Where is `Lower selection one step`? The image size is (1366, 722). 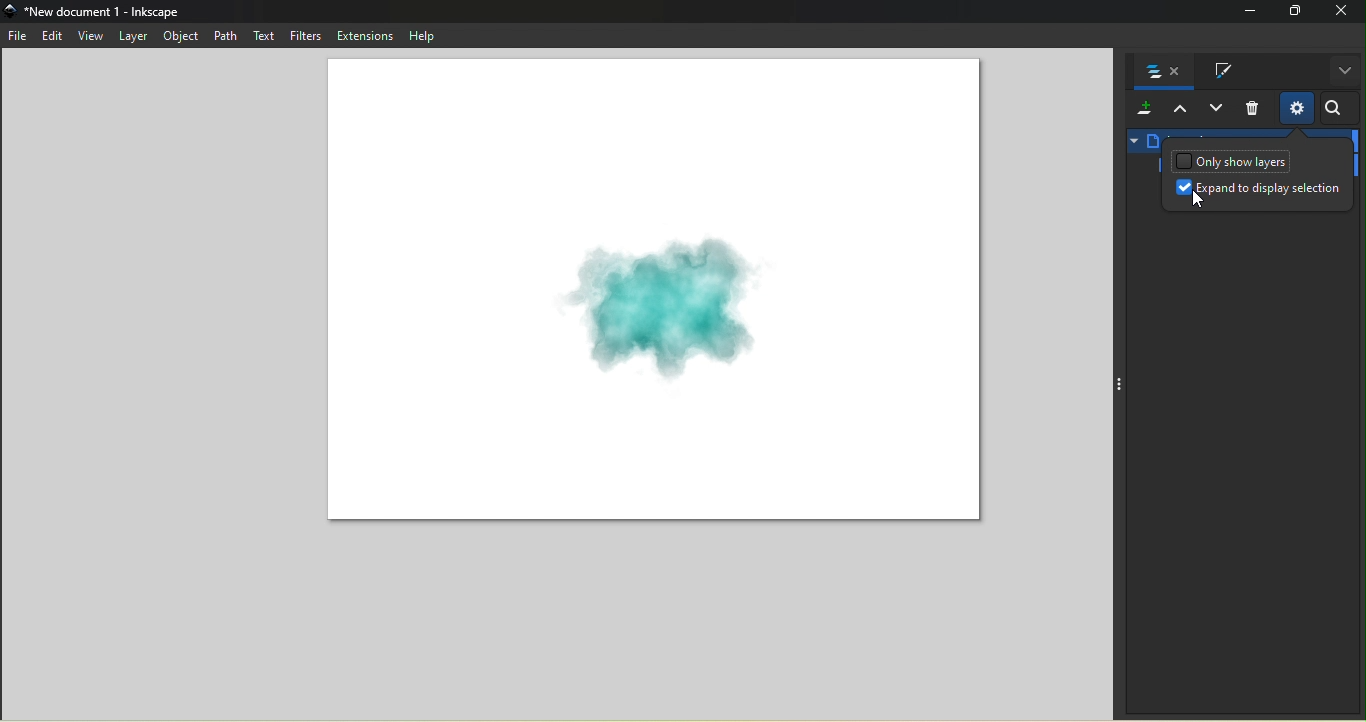 Lower selection one step is located at coordinates (1216, 110).